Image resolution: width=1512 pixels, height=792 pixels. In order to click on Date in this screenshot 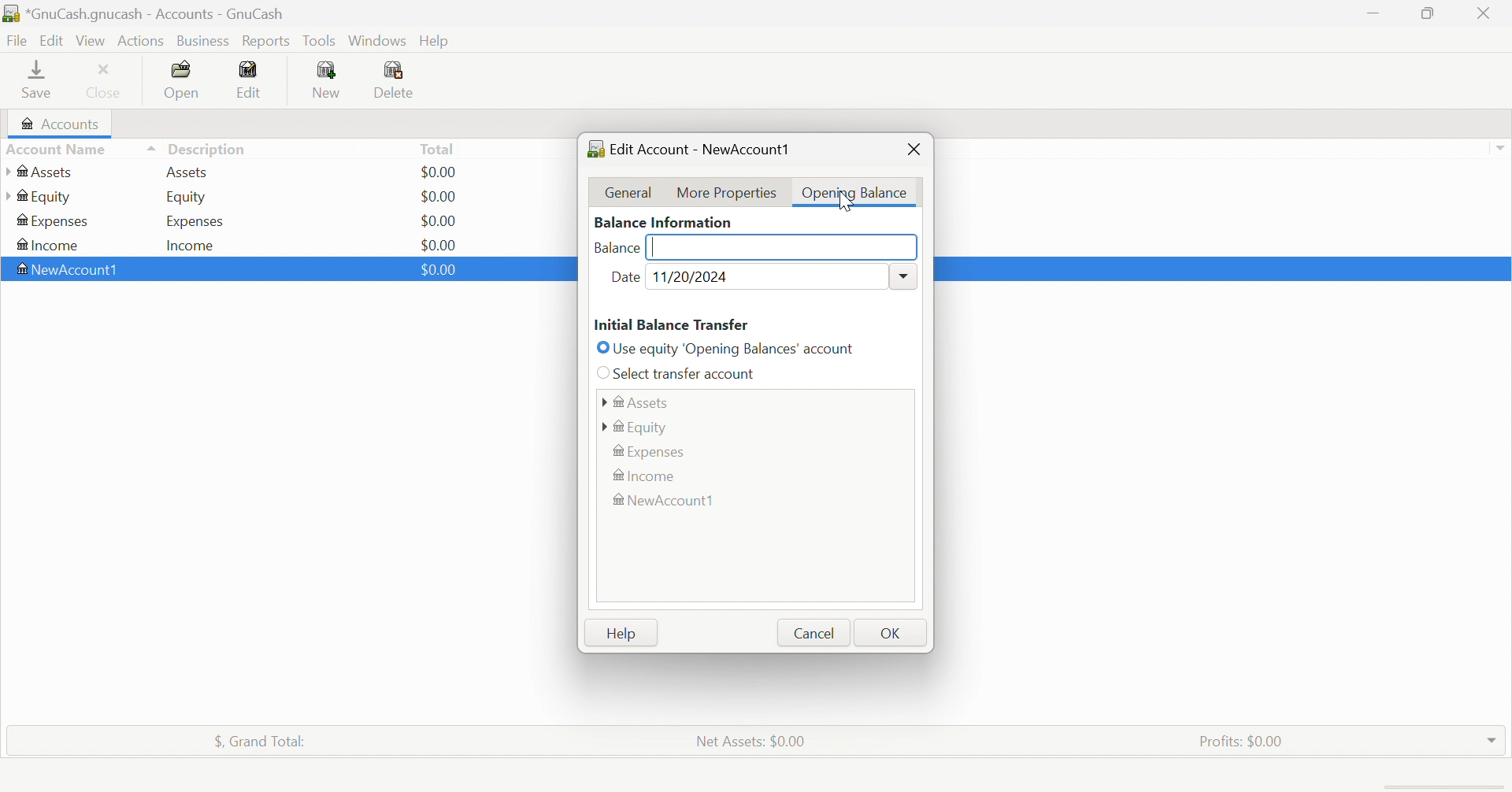, I will do `click(626, 279)`.